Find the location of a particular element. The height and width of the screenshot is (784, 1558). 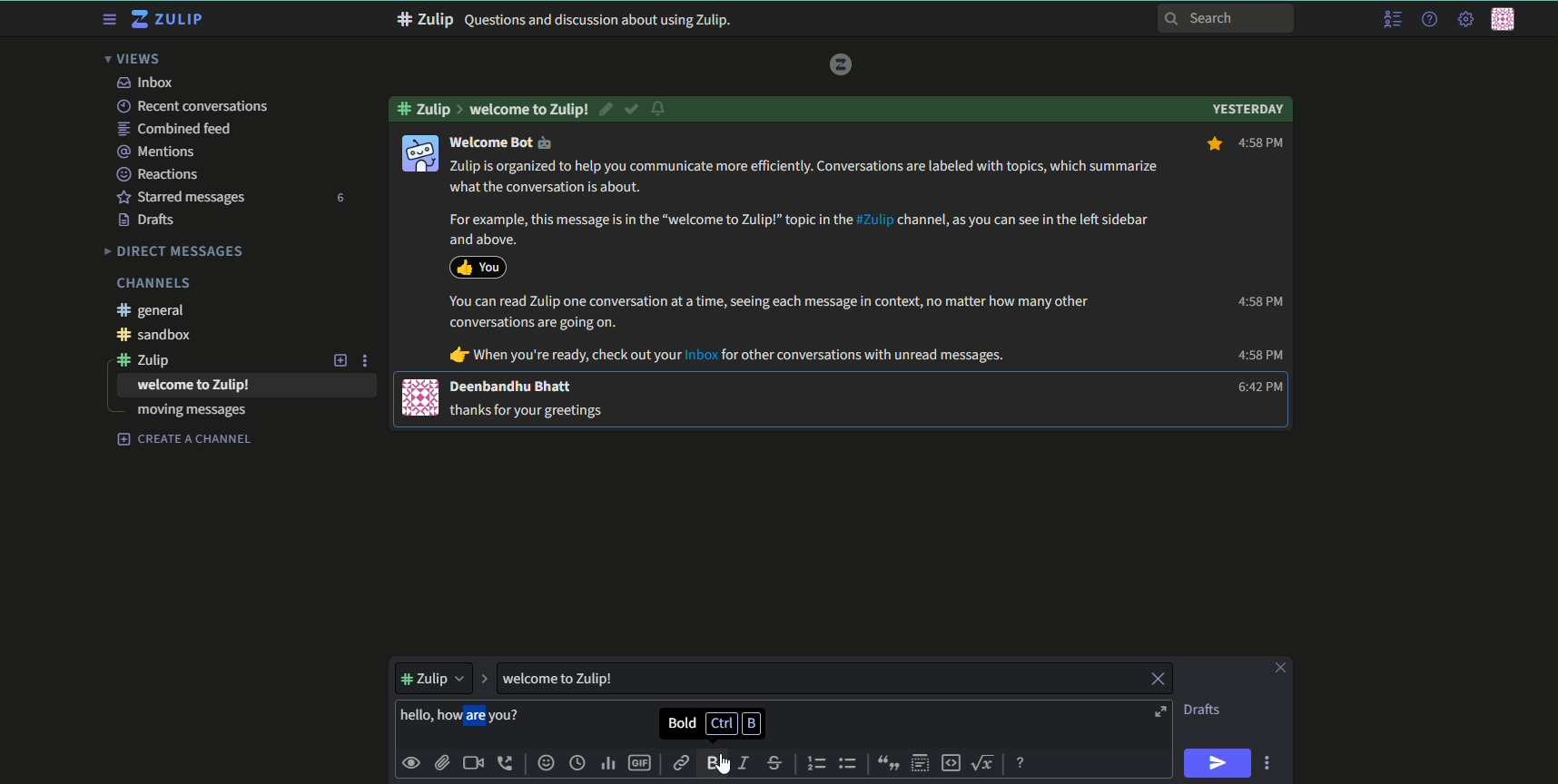

textbox is located at coordinates (580, 678).